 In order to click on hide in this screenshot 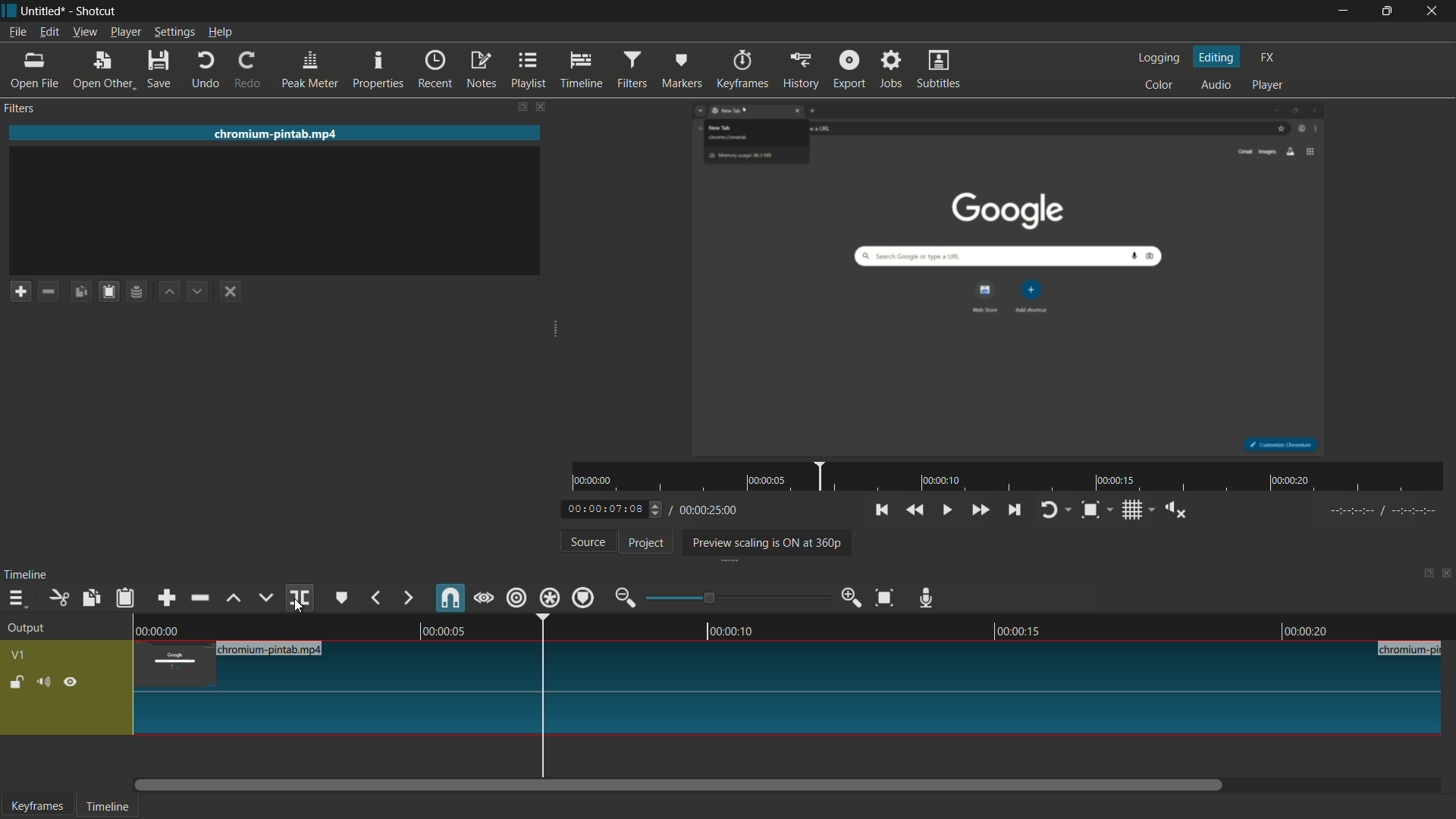, I will do `click(71, 685)`.